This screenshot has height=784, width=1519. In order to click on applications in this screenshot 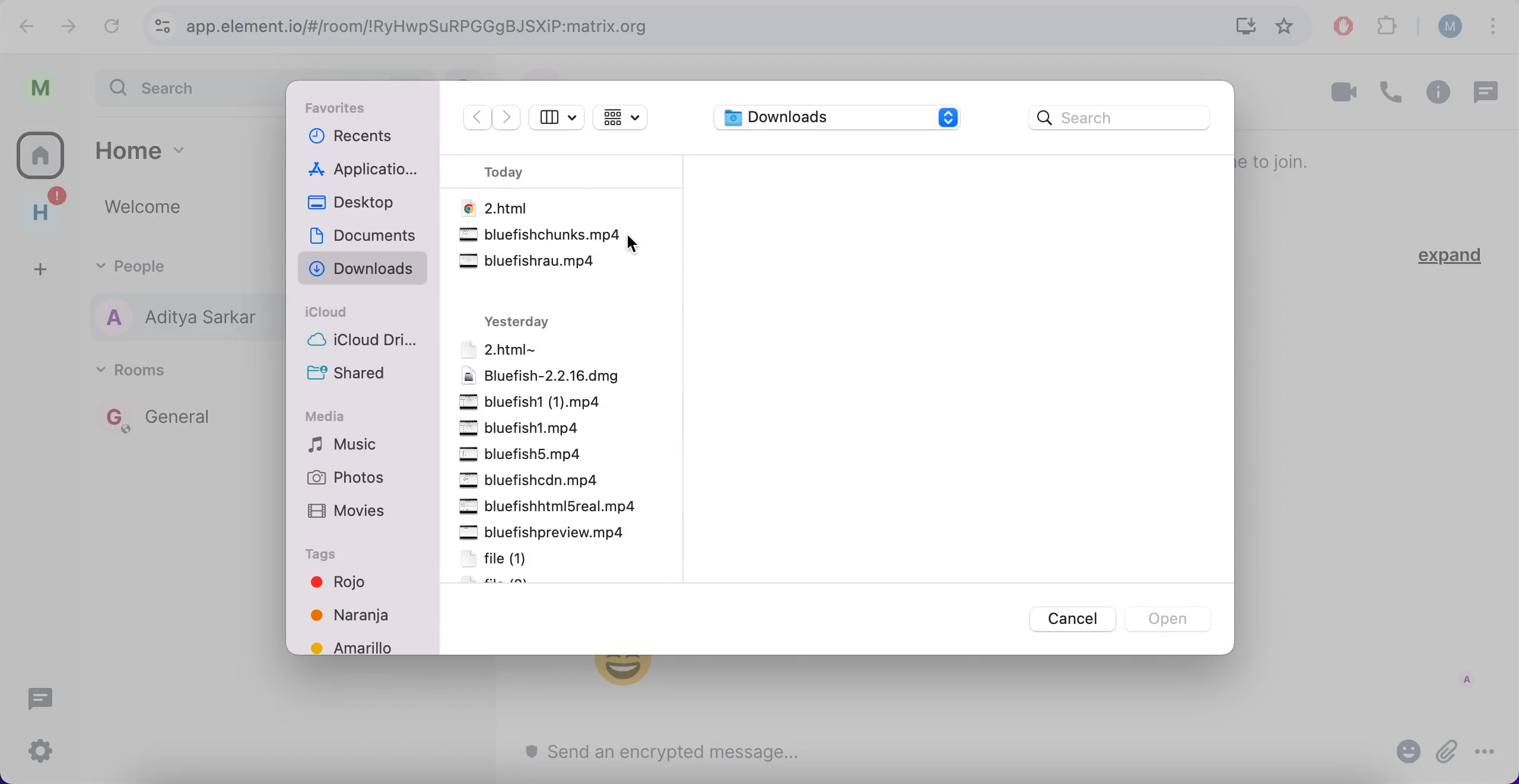, I will do `click(373, 171)`.